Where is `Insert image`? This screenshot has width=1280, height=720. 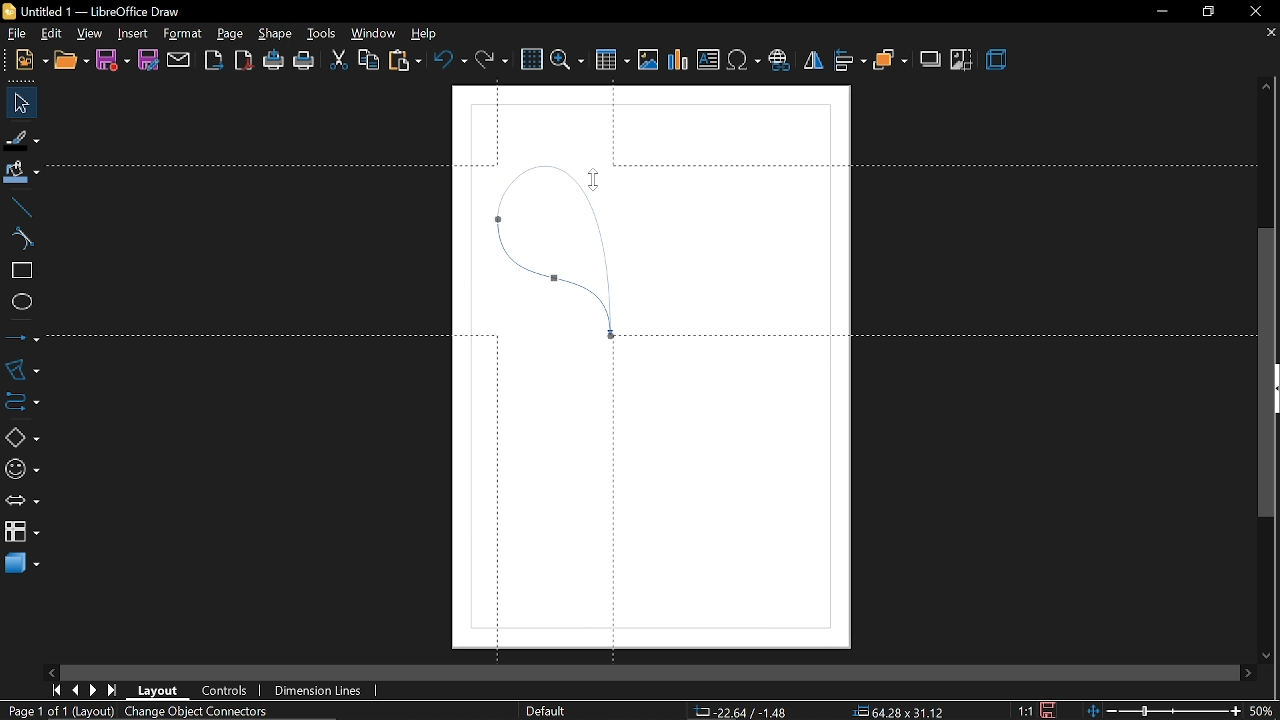 Insert image is located at coordinates (649, 61).